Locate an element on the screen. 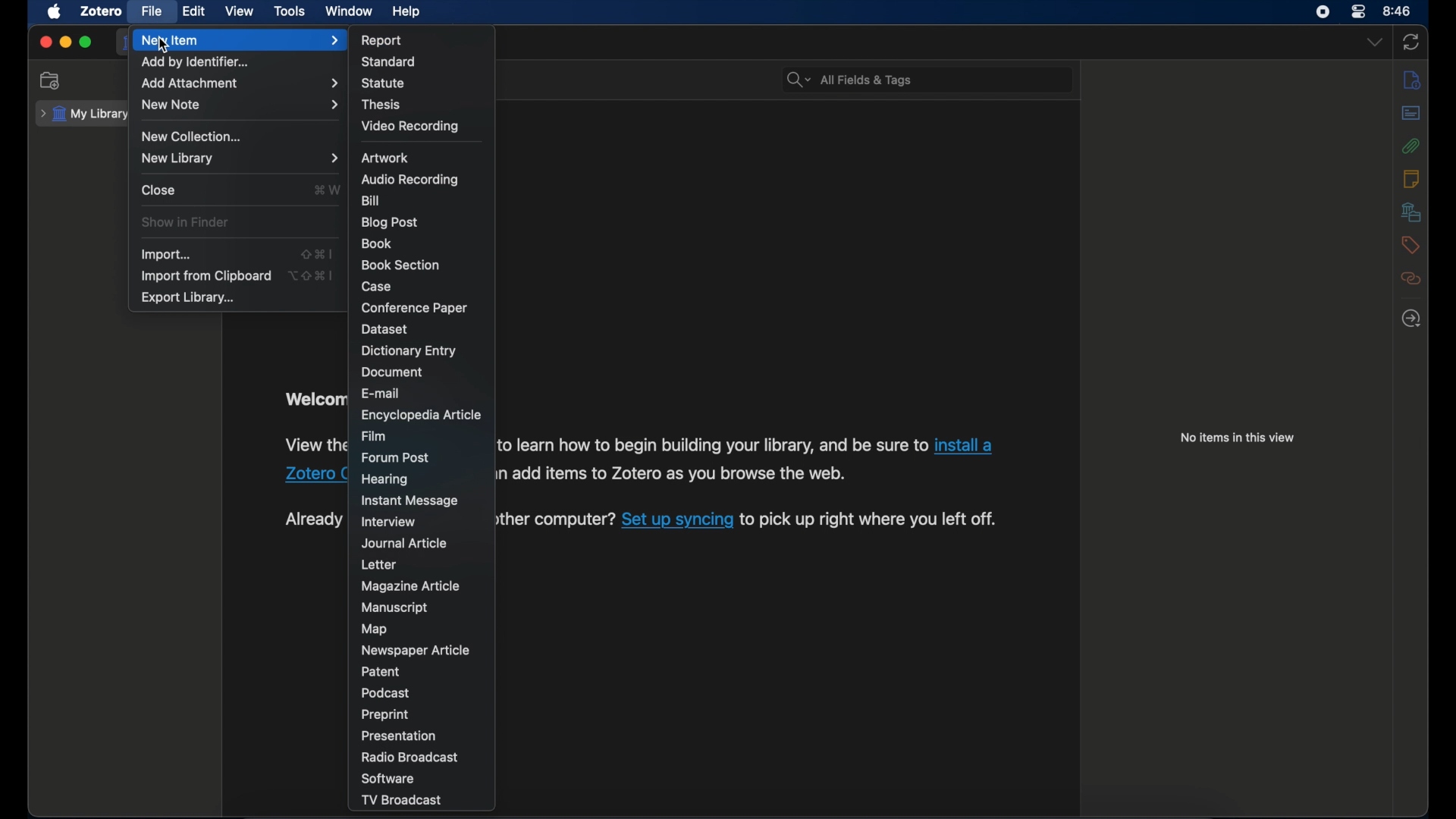 This screenshot has width=1456, height=819. standard is located at coordinates (390, 62).